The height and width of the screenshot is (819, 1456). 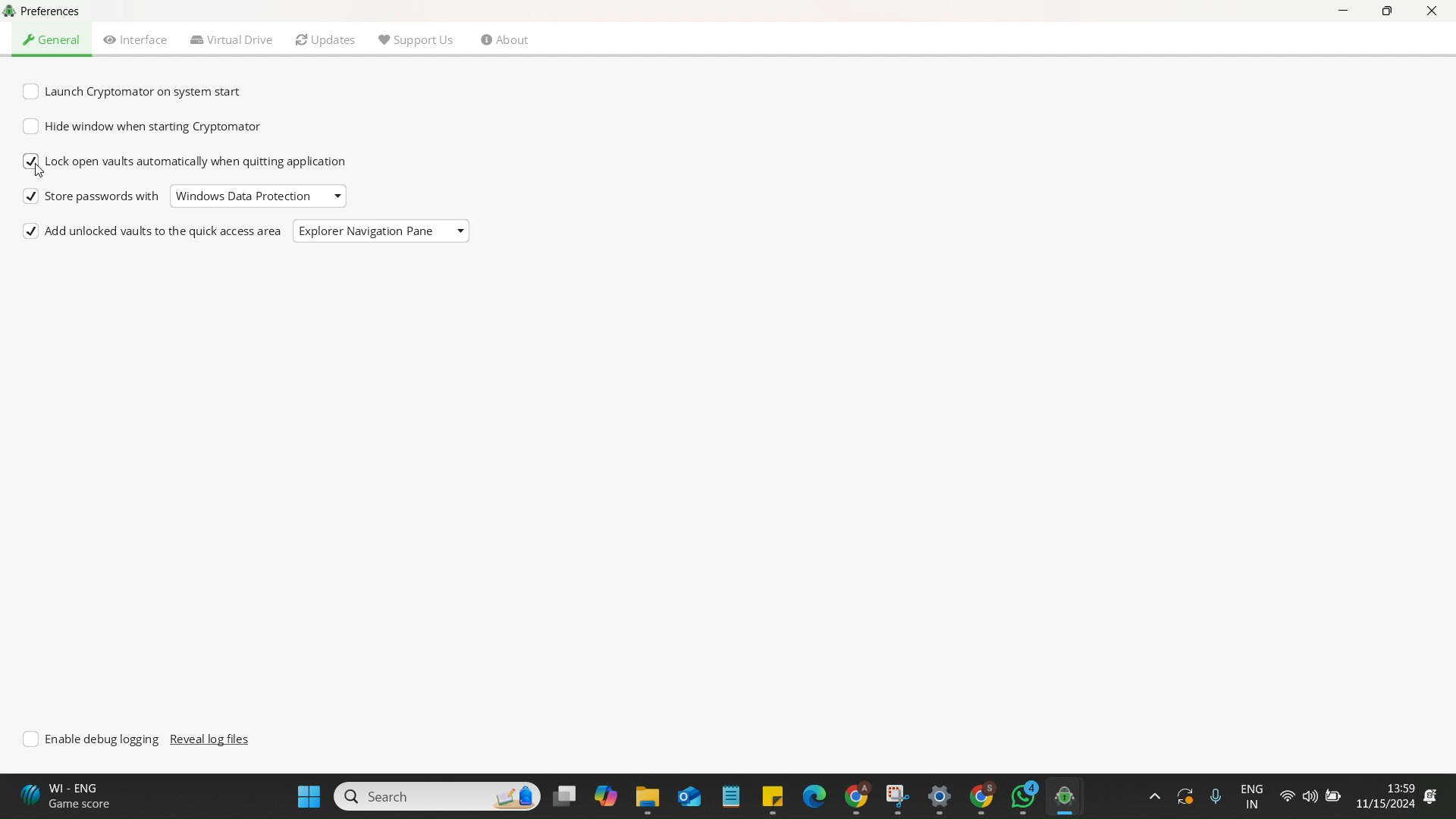 What do you see at coordinates (1346, 15) in the screenshot?
I see `Minimize` at bounding box center [1346, 15].